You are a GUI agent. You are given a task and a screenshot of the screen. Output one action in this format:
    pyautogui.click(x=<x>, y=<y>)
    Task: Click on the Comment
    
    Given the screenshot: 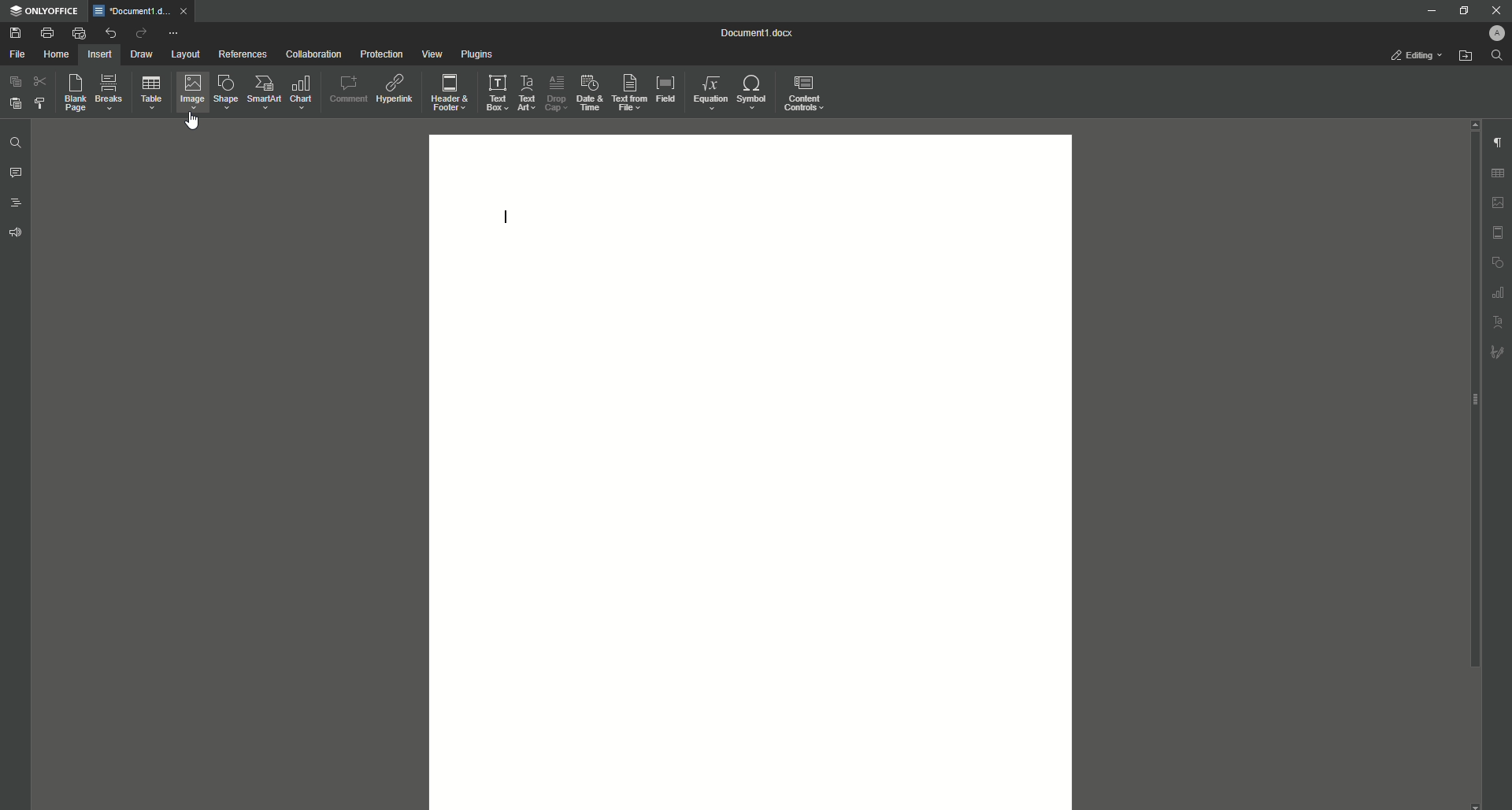 What is the action you would take?
    pyautogui.click(x=349, y=91)
    